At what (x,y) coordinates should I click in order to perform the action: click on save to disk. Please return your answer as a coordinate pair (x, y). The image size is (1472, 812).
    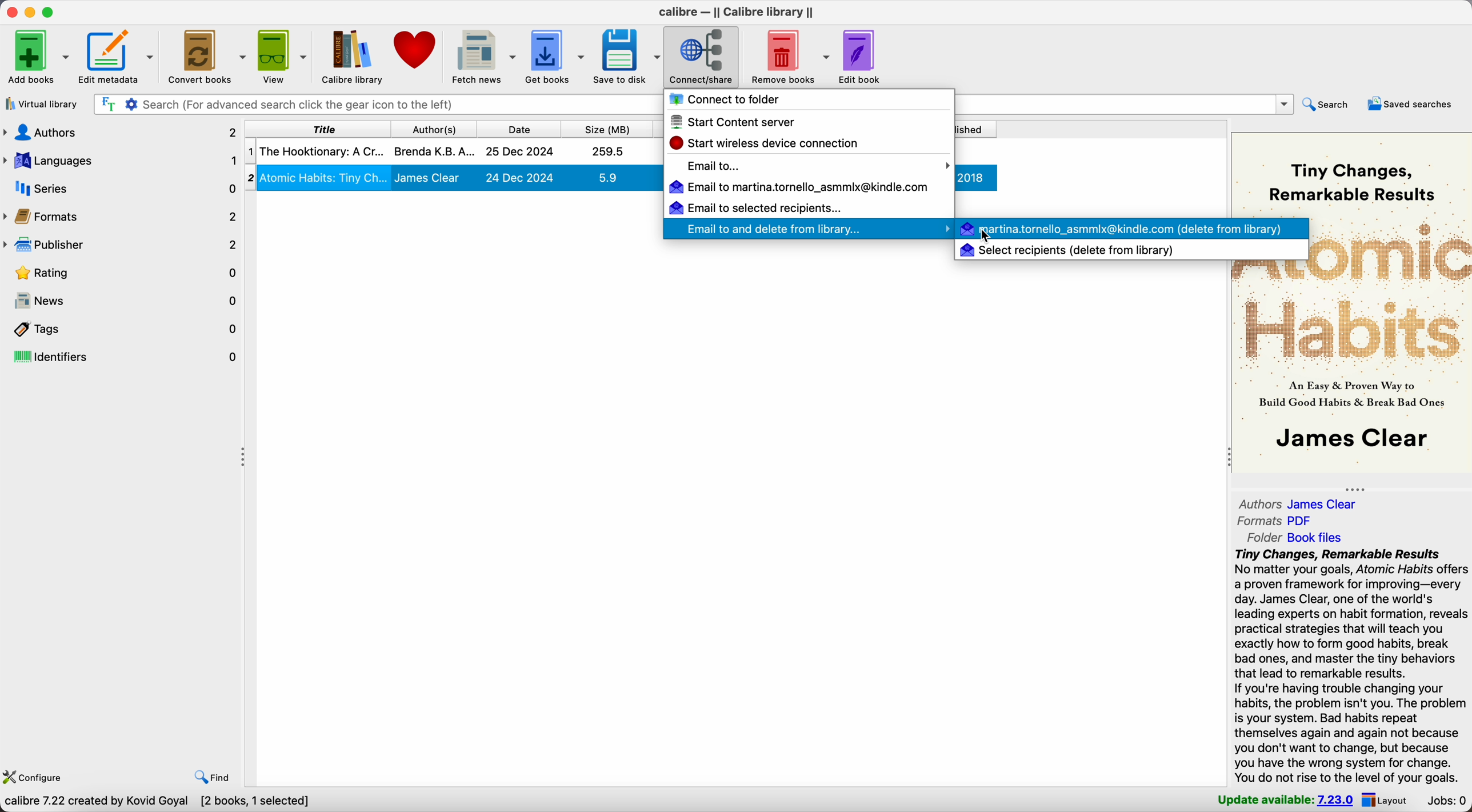
    Looking at the image, I should click on (627, 58).